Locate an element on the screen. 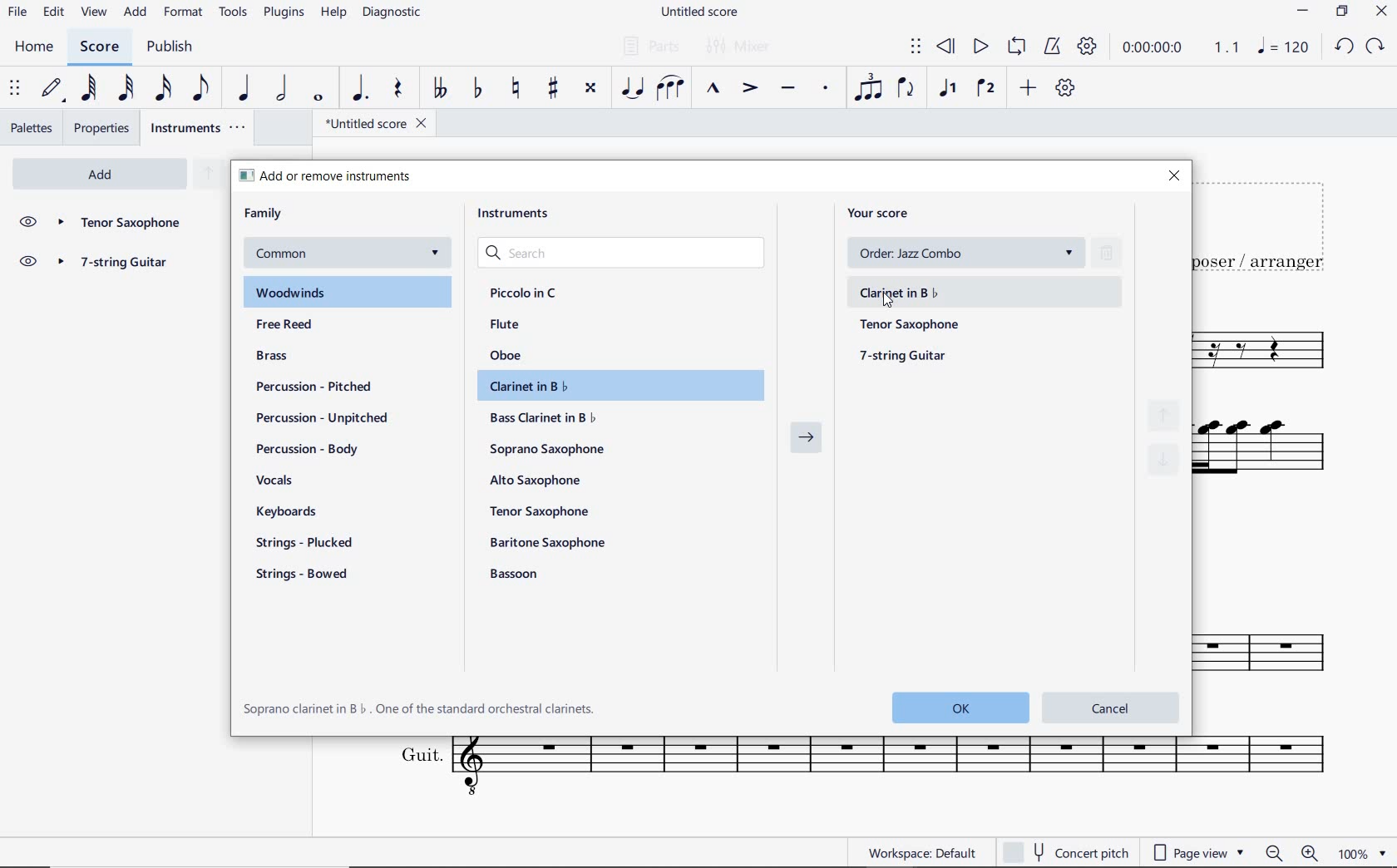 Image resolution: width=1397 pixels, height=868 pixels. PLAY SPEED is located at coordinates (1177, 50).